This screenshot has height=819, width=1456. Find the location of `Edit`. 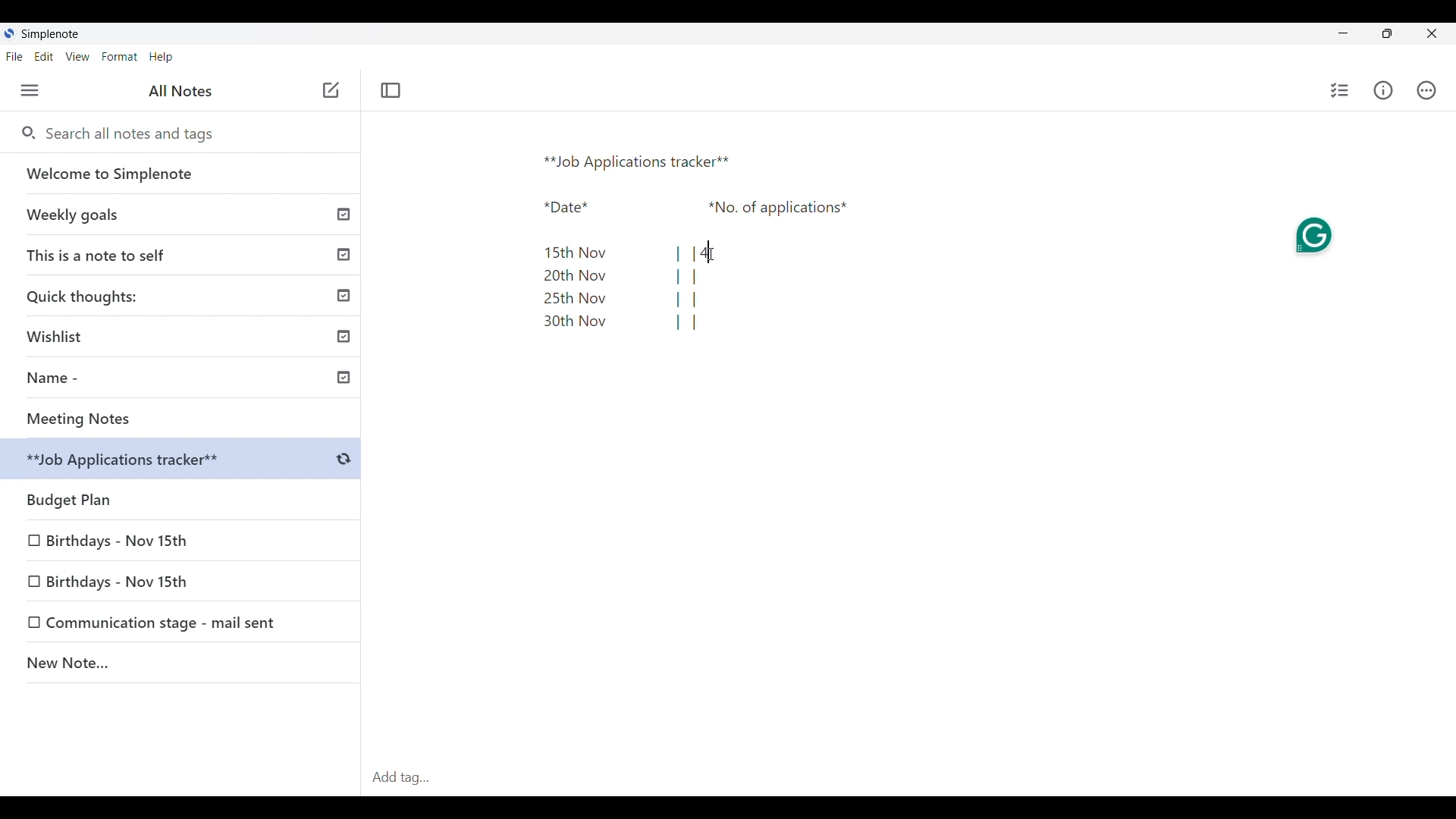

Edit is located at coordinates (44, 56).